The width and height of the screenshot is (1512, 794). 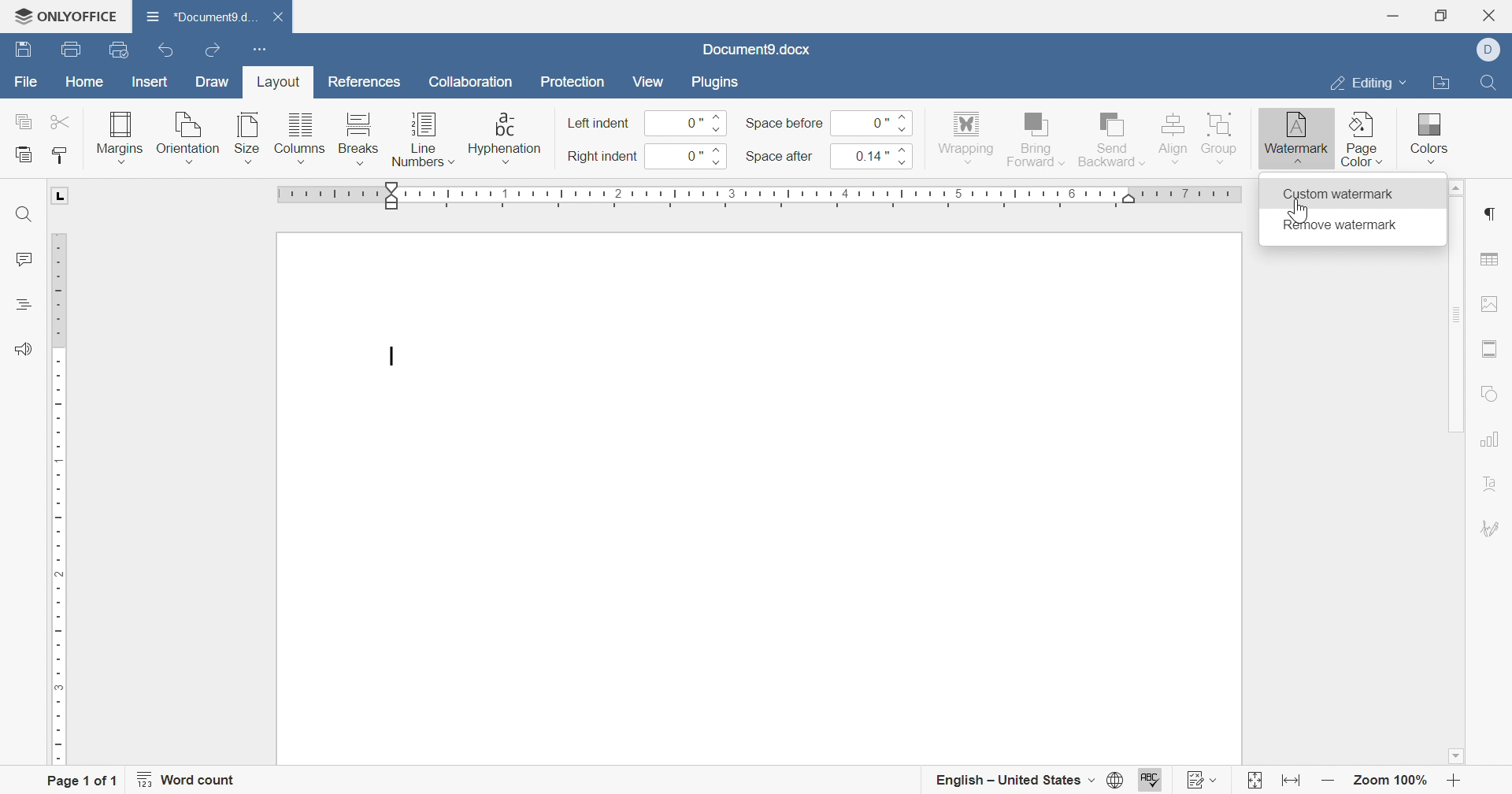 What do you see at coordinates (246, 138) in the screenshot?
I see `size` at bounding box center [246, 138].